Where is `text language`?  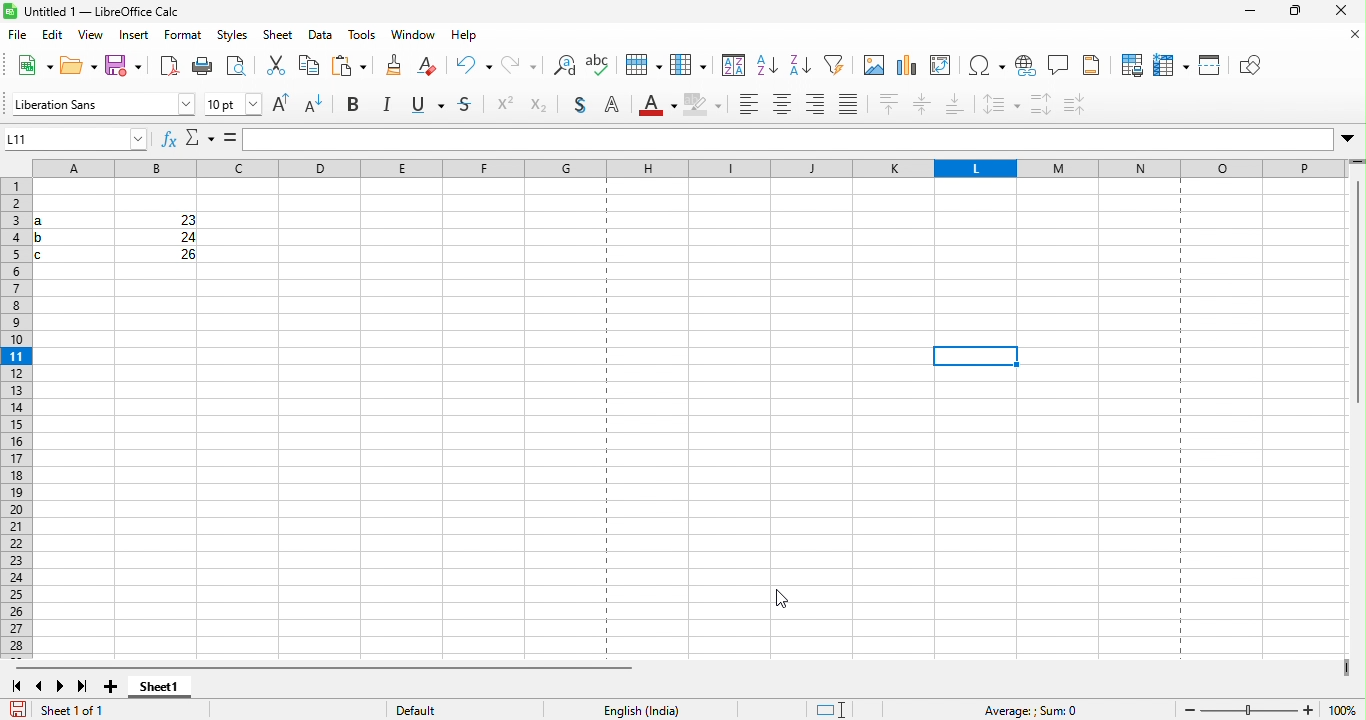
text language is located at coordinates (652, 708).